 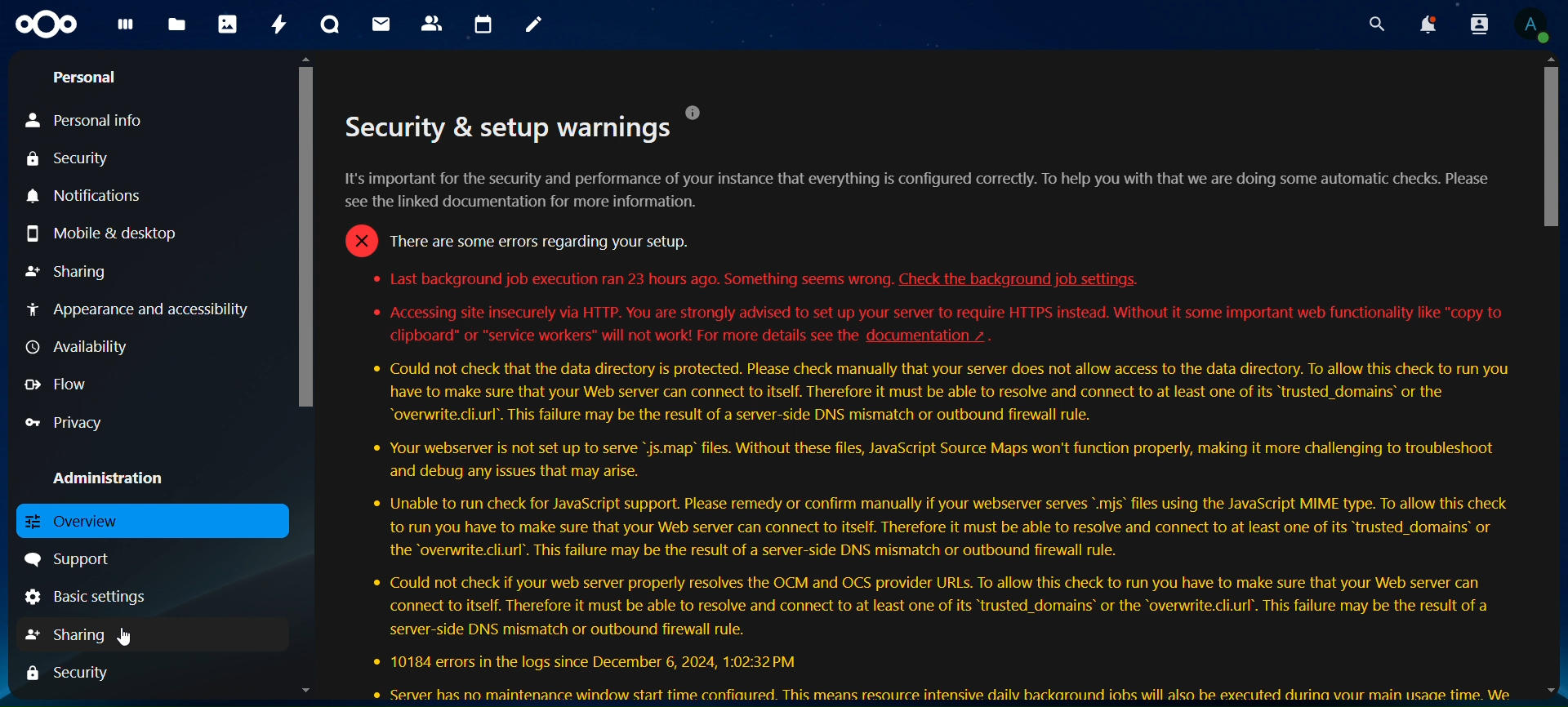 I want to click on support, so click(x=72, y=559).